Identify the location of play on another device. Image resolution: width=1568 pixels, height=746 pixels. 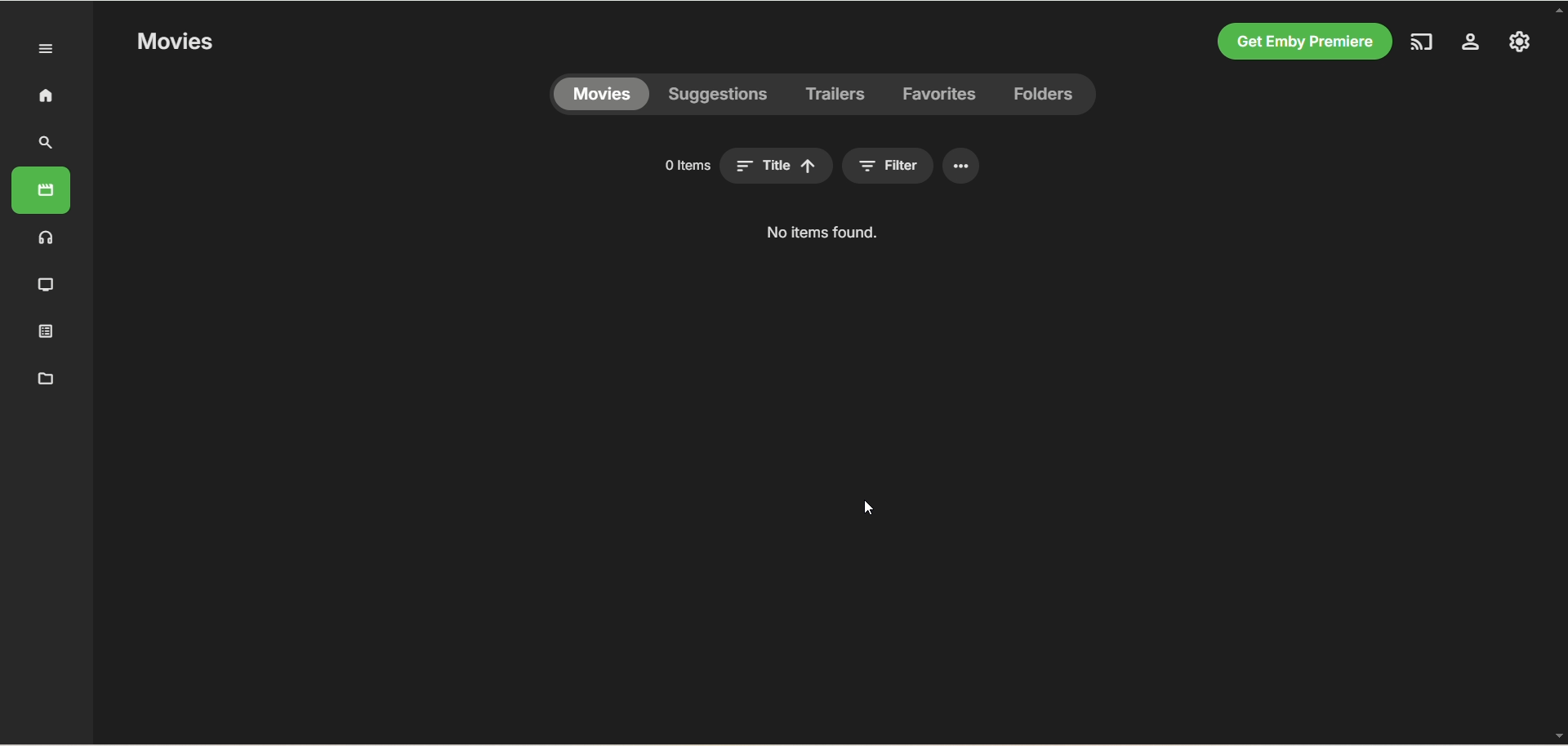
(1423, 42).